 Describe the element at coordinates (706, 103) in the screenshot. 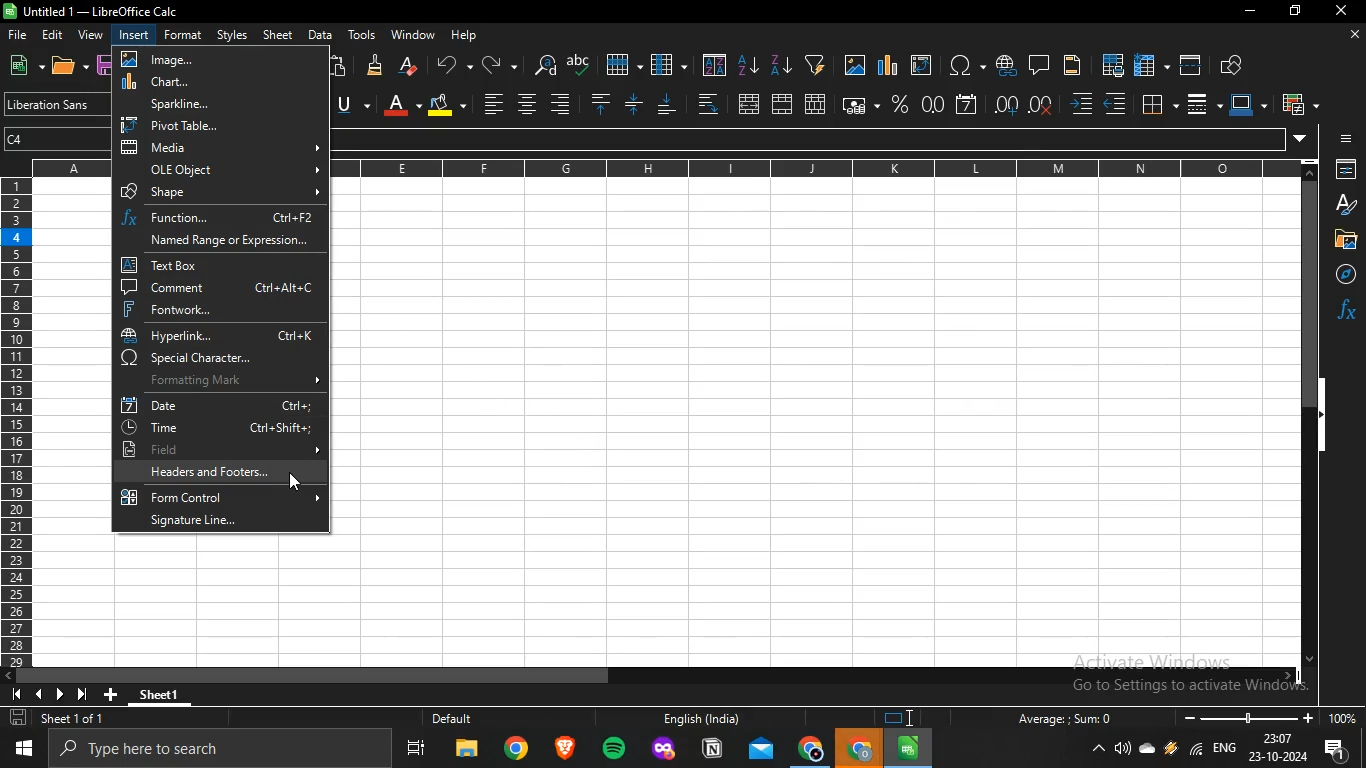

I see `wrap text` at that location.